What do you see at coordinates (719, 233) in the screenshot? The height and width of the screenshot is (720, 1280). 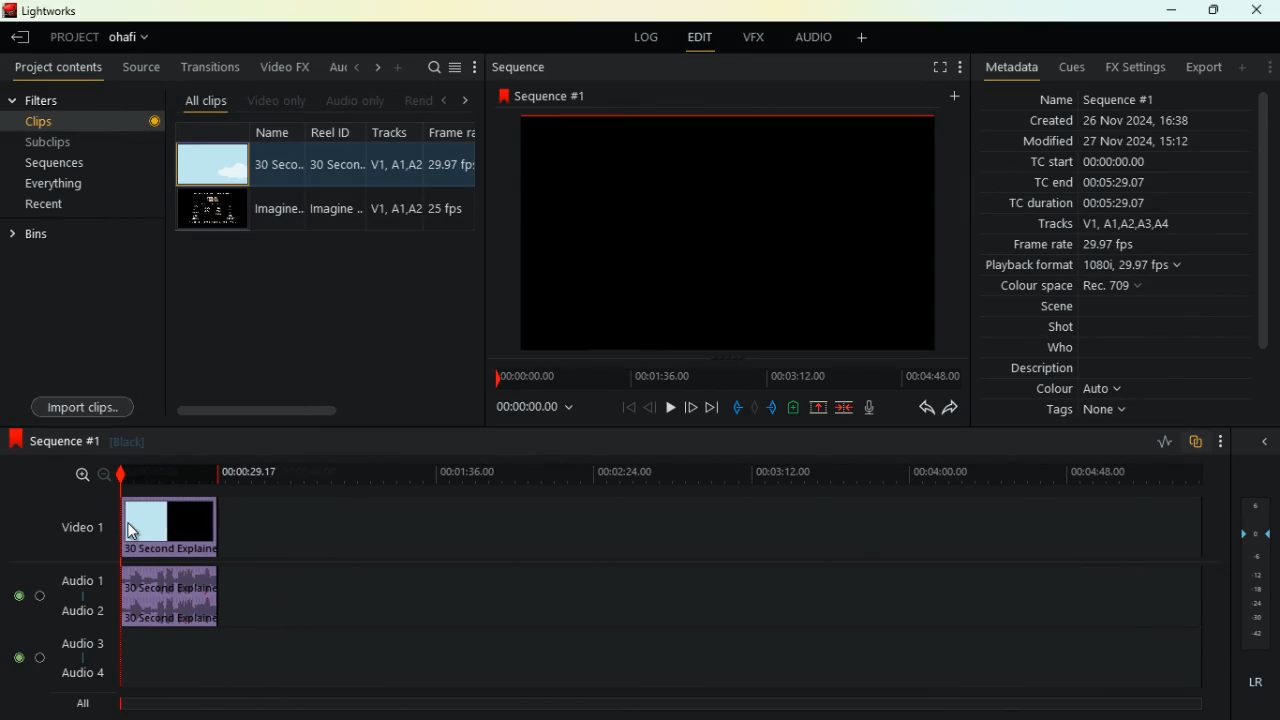 I see `image` at bounding box center [719, 233].